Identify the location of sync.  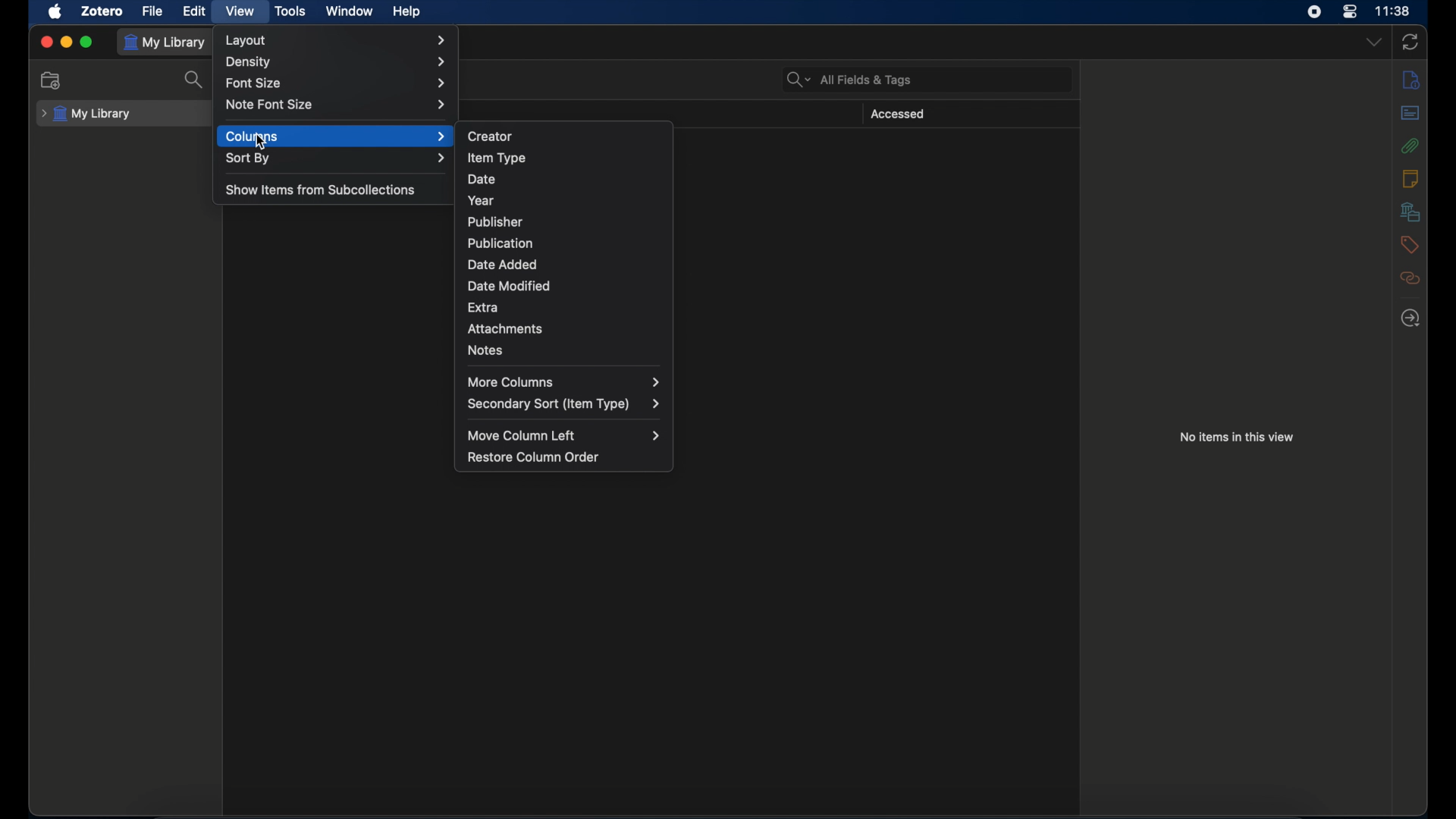
(1410, 43).